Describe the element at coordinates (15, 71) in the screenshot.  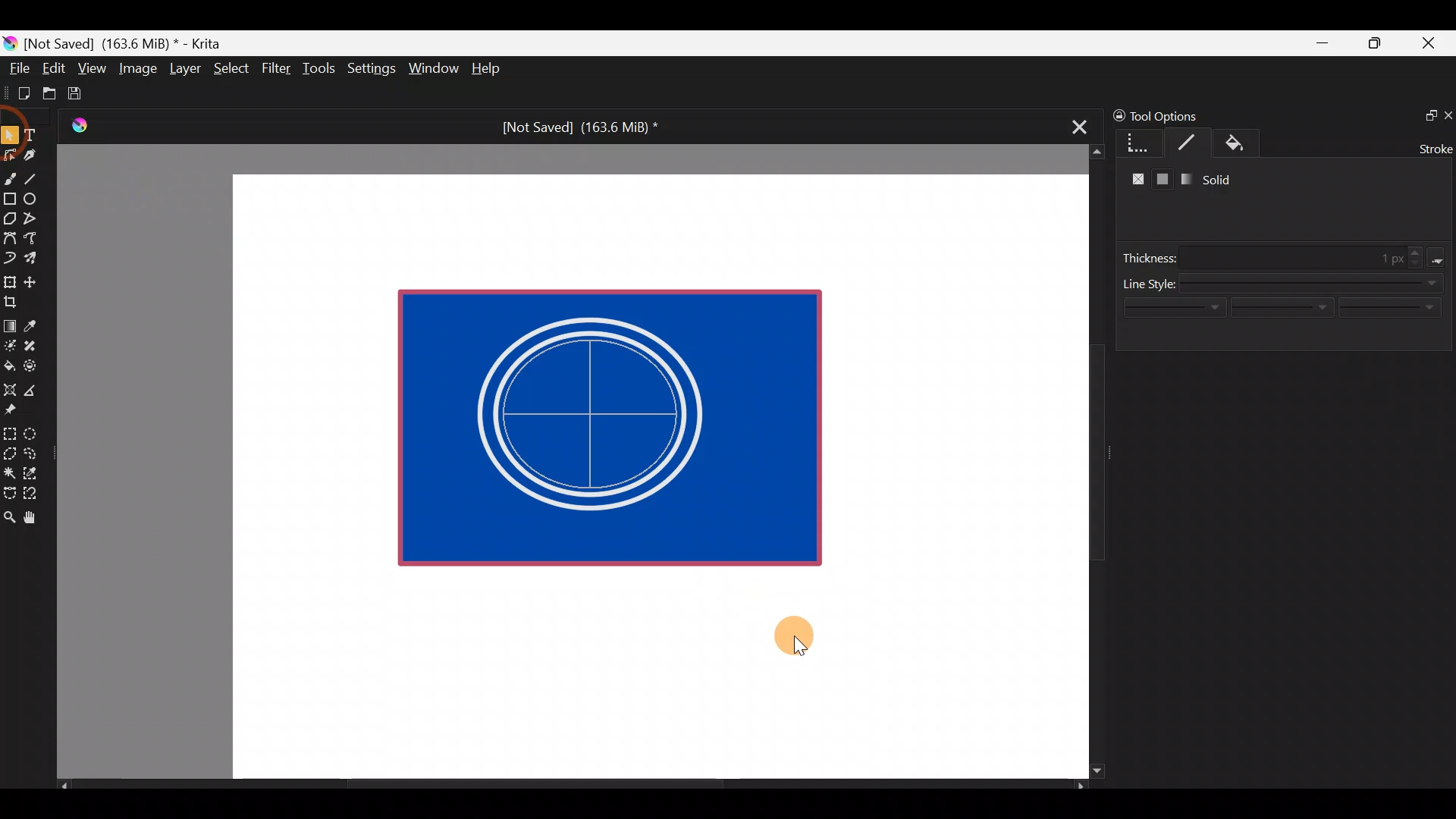
I see `File` at that location.